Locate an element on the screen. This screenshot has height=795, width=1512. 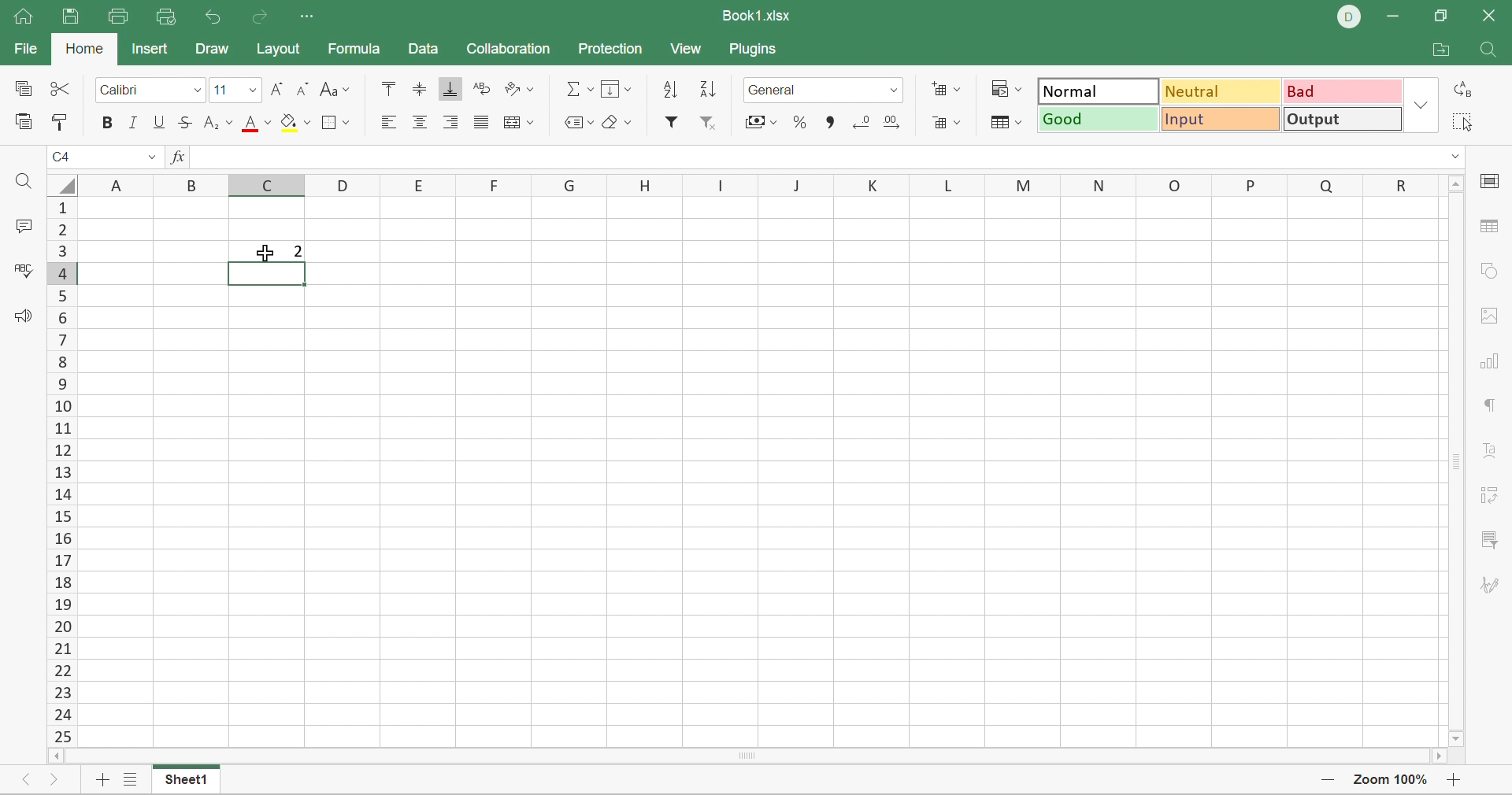
Open file location is located at coordinates (1440, 49).